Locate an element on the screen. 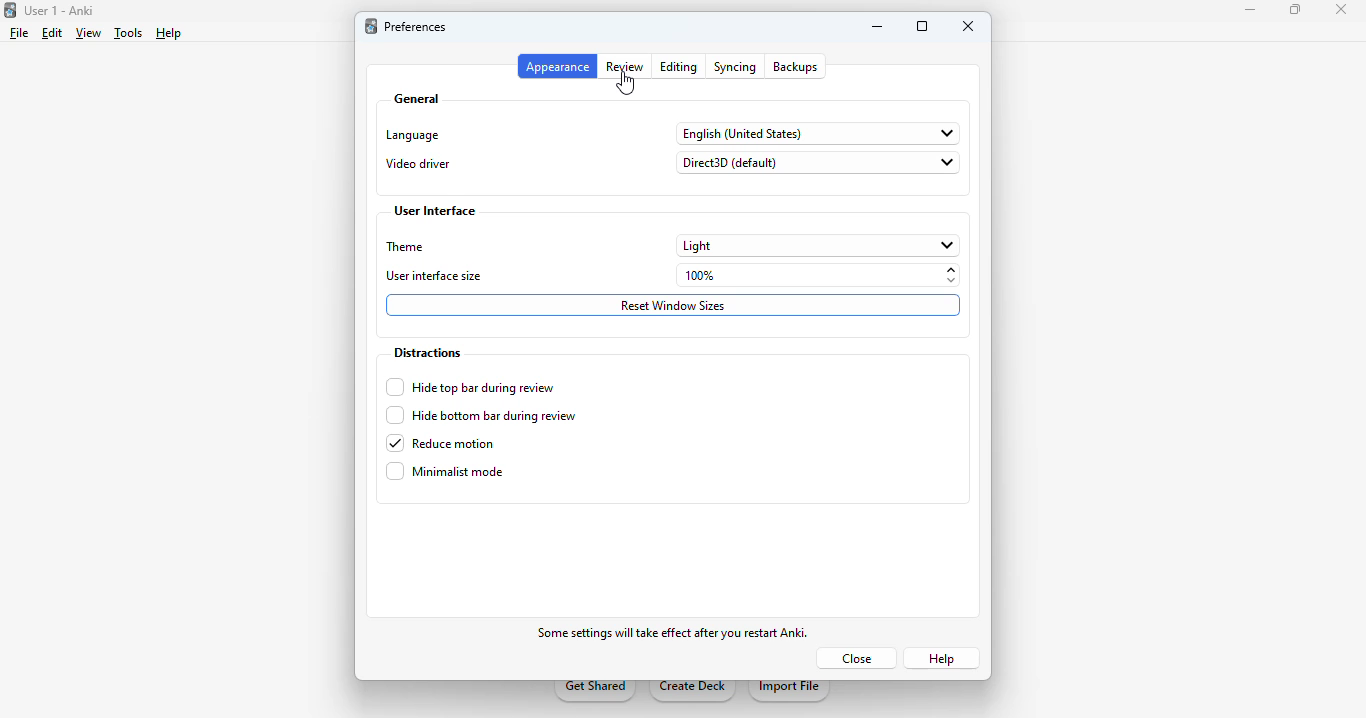 This screenshot has width=1366, height=718. file is located at coordinates (20, 33).